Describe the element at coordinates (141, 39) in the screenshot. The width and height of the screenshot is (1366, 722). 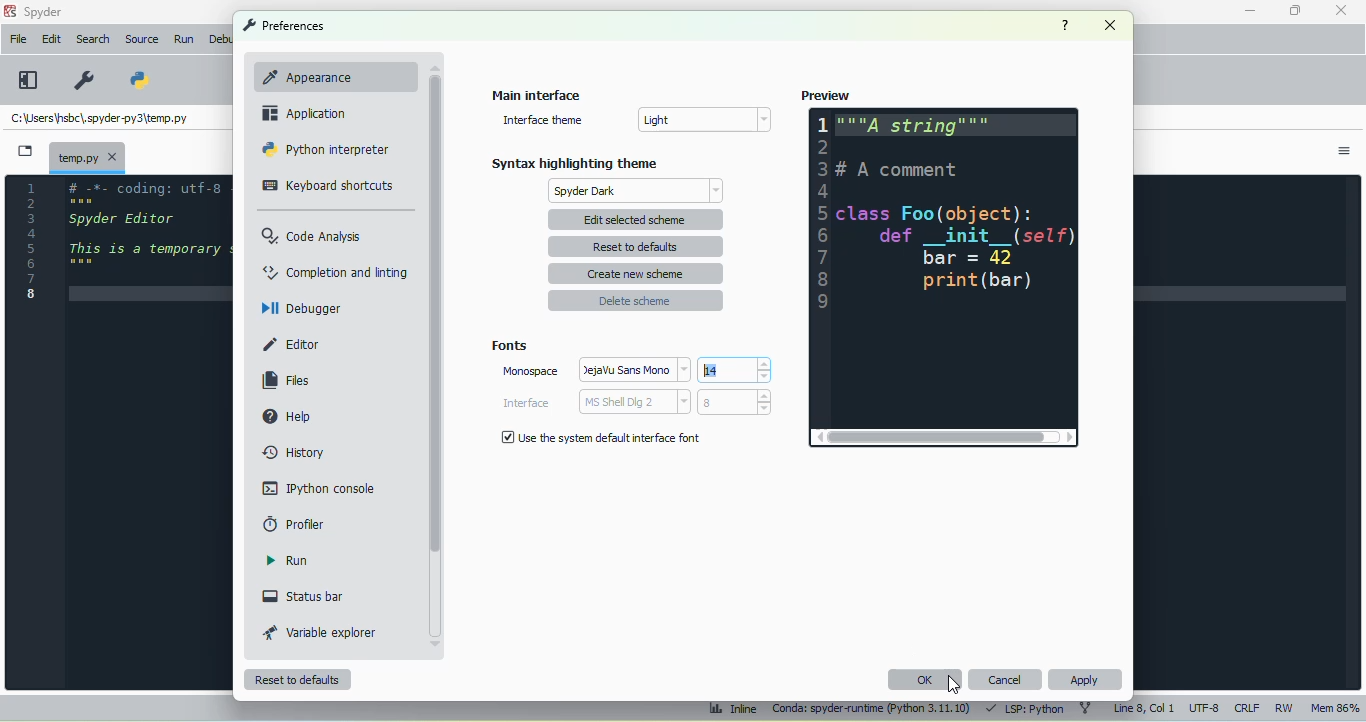
I see `source` at that location.